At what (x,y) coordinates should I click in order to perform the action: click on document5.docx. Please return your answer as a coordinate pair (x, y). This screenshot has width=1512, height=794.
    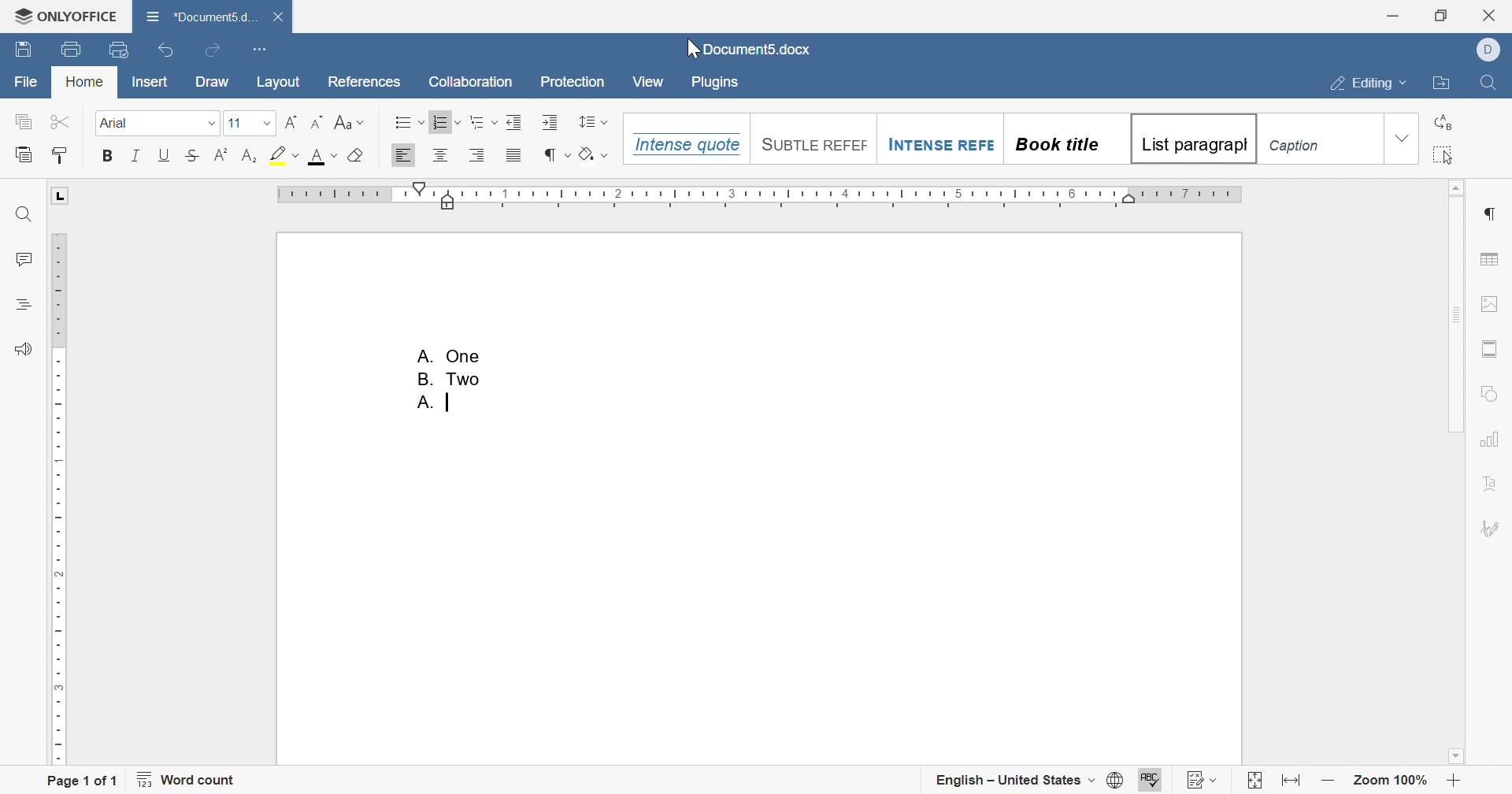
    Looking at the image, I should click on (760, 52).